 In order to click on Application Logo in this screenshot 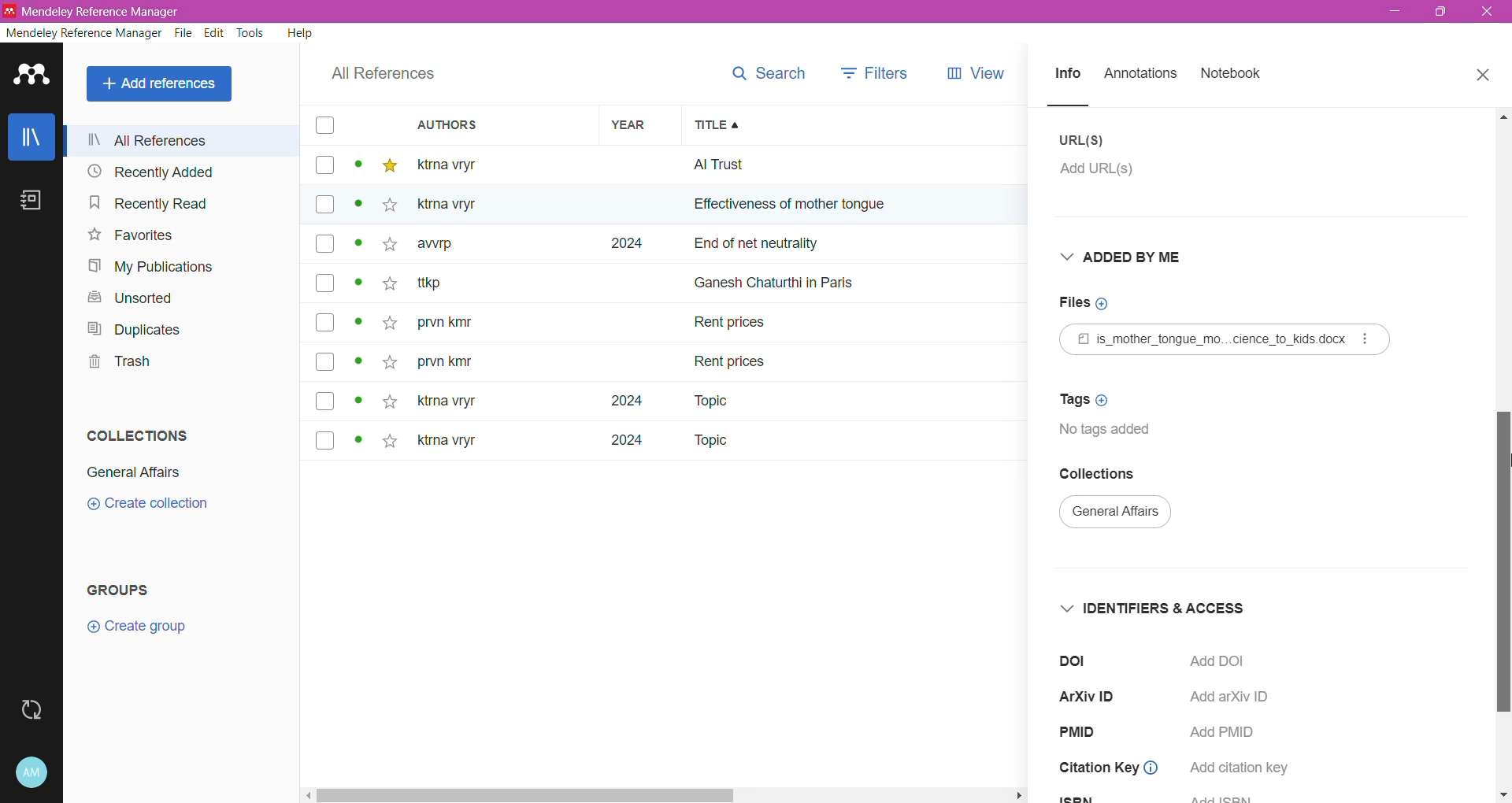, I will do `click(32, 76)`.